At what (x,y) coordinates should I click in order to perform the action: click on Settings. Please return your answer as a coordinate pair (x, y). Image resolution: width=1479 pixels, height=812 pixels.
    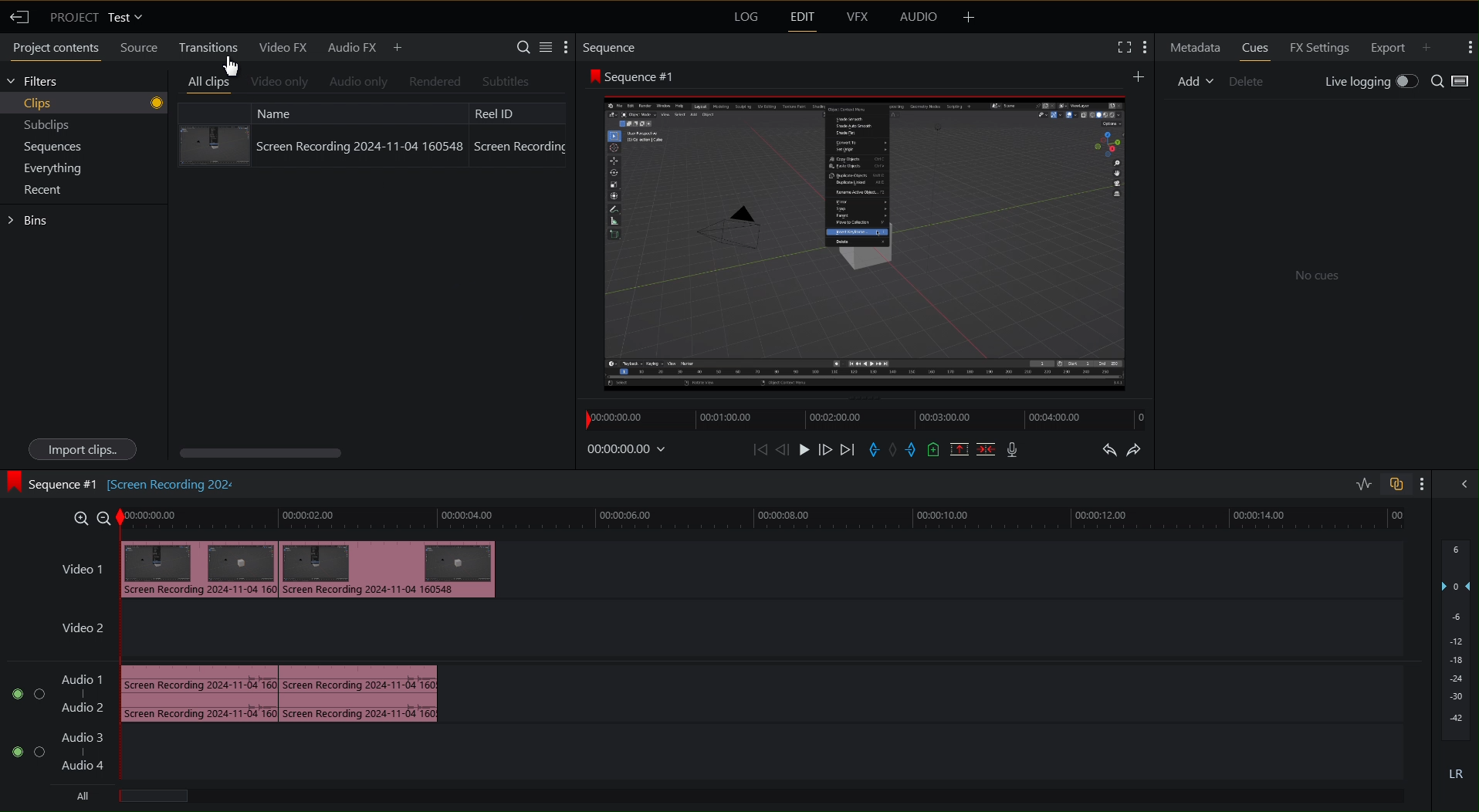
    Looking at the image, I should click on (1132, 48).